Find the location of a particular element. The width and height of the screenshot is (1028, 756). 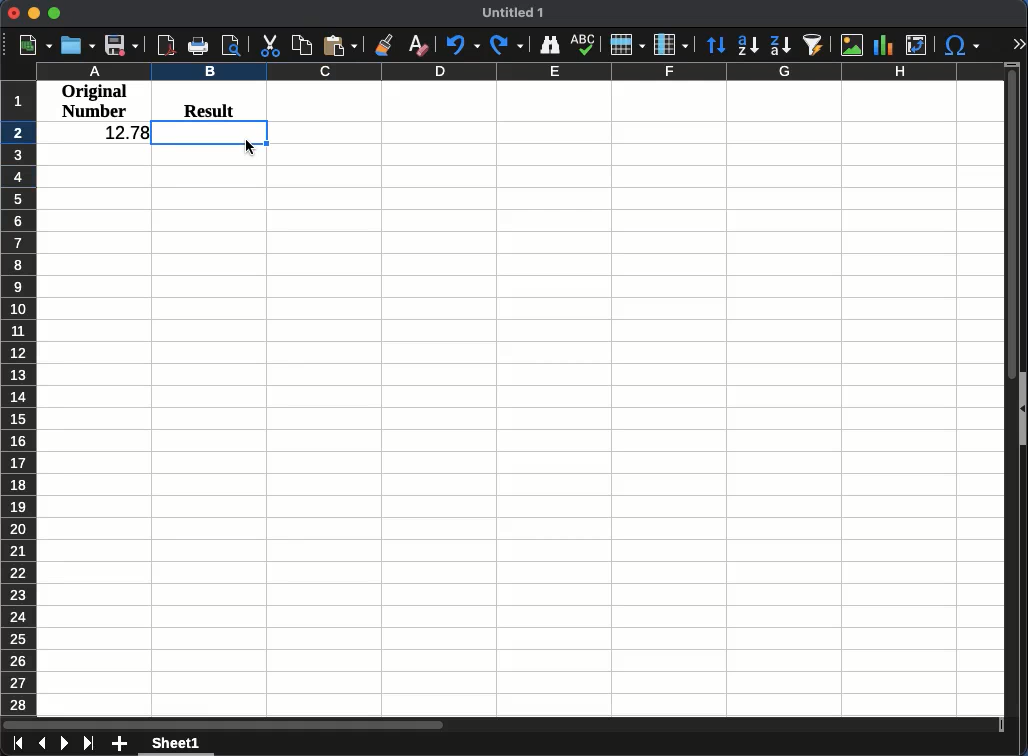

chart is located at coordinates (883, 44).